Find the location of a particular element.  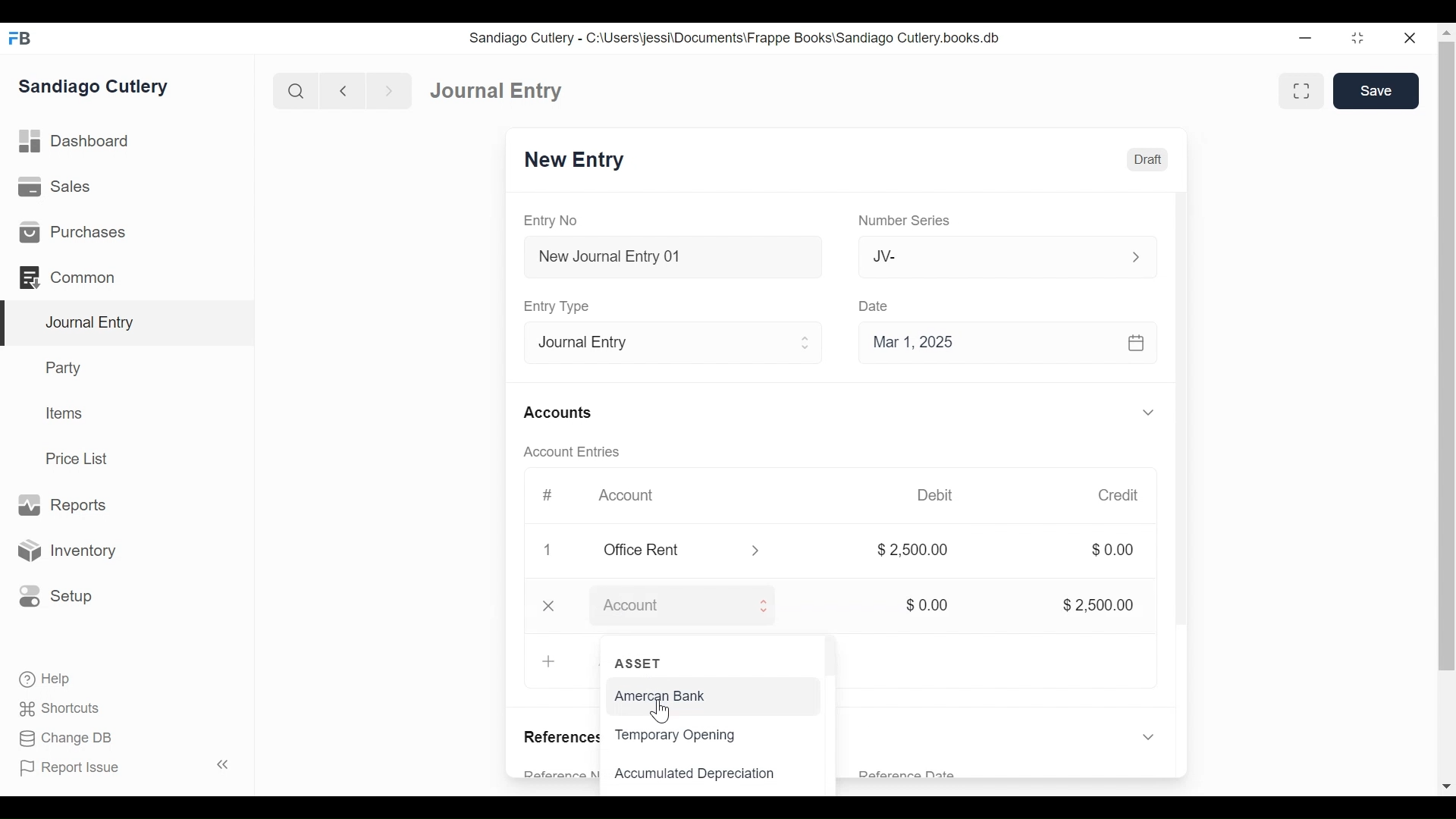

Account is located at coordinates (635, 496).